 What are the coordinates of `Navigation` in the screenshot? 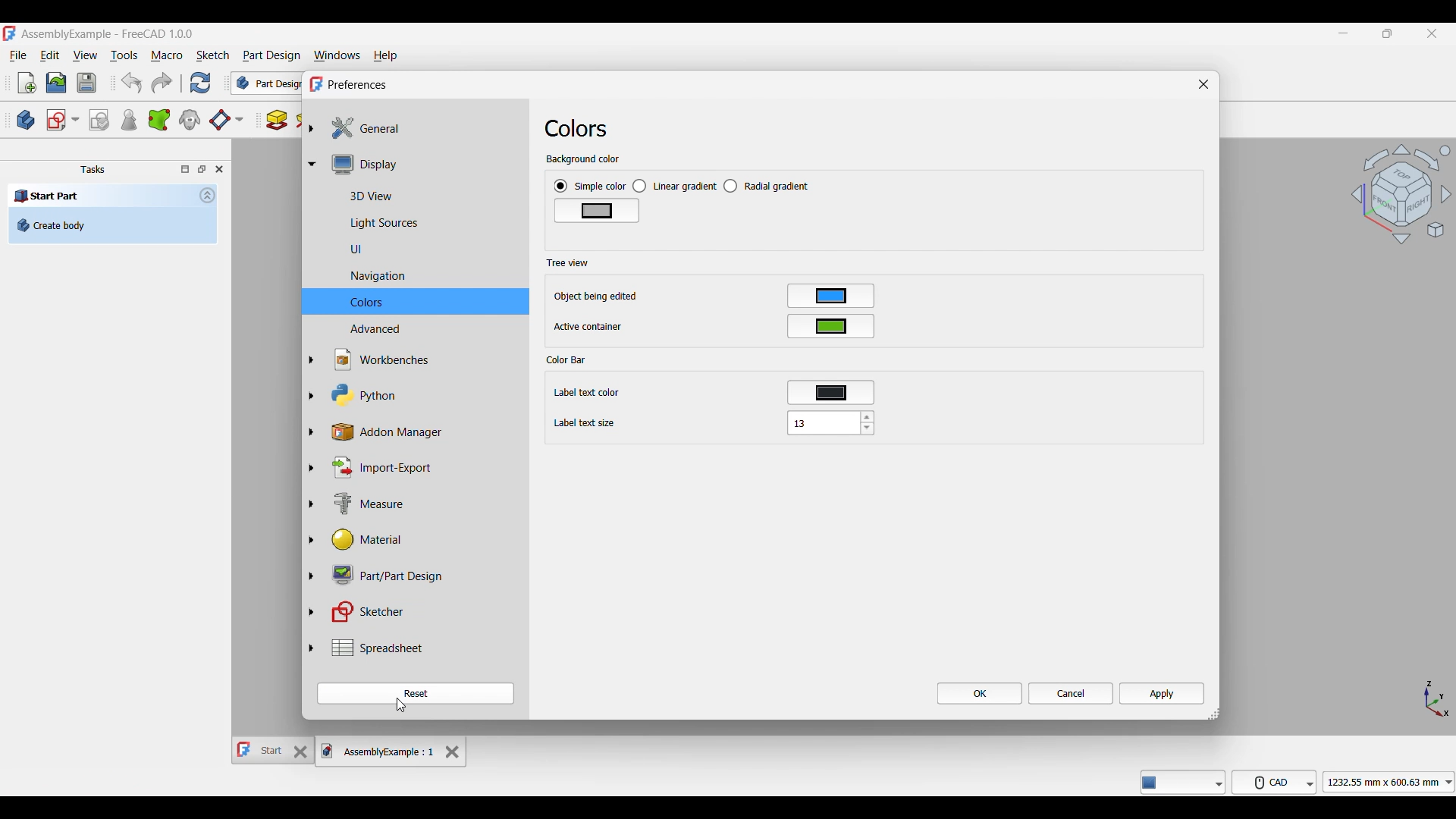 It's located at (359, 276).